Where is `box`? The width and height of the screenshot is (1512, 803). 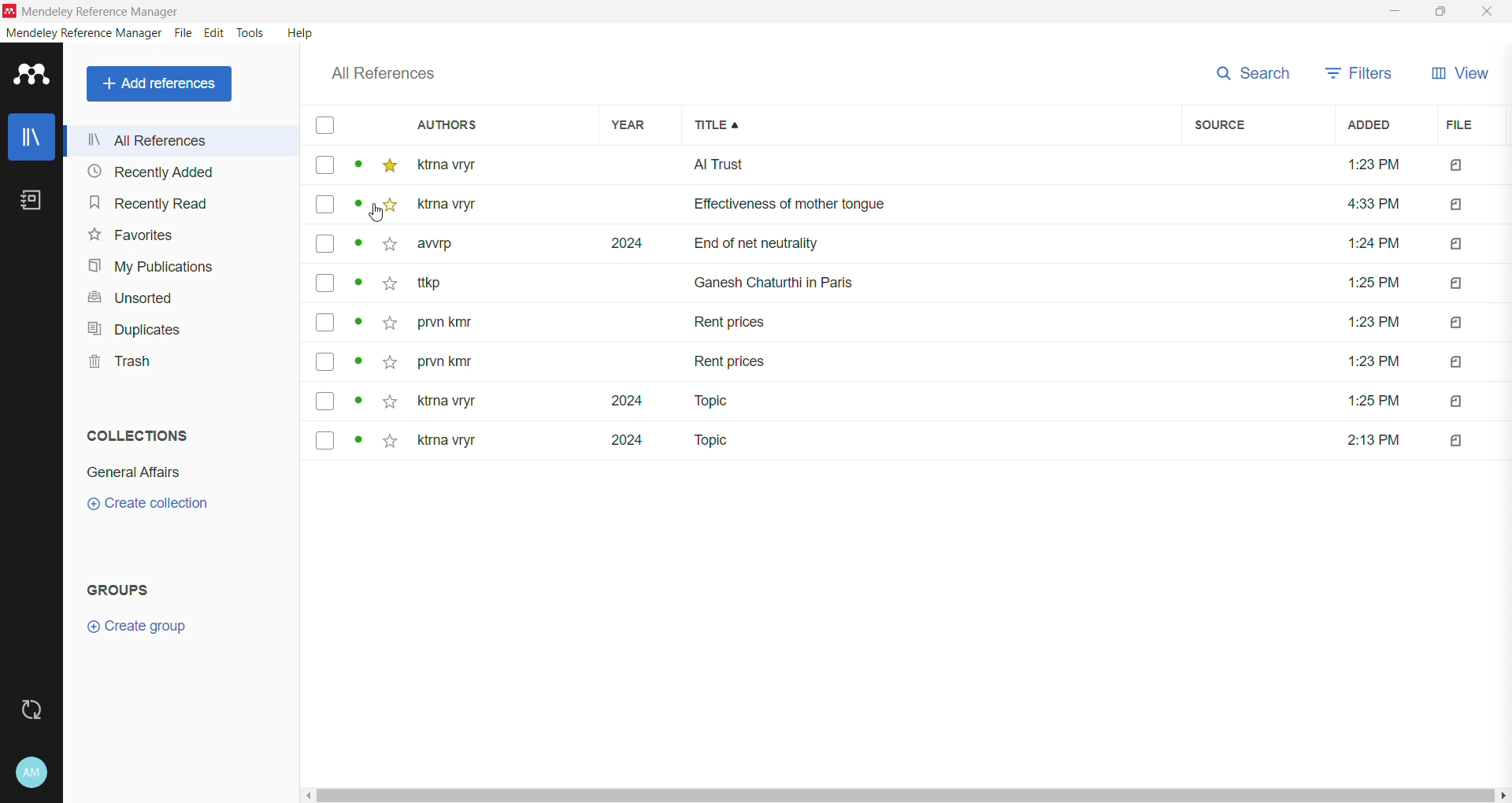 box is located at coordinates (324, 283).